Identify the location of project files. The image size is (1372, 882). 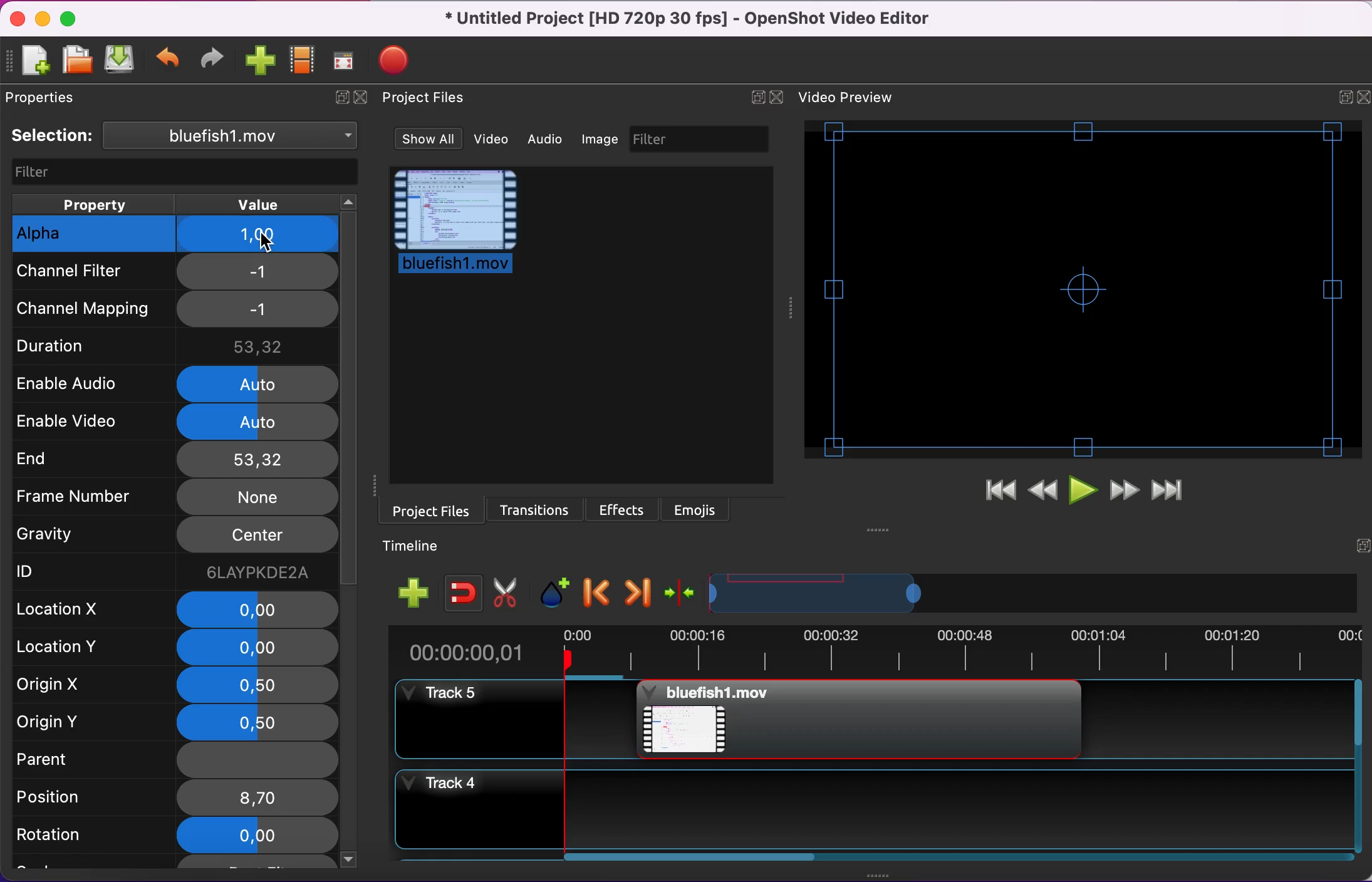
(425, 511).